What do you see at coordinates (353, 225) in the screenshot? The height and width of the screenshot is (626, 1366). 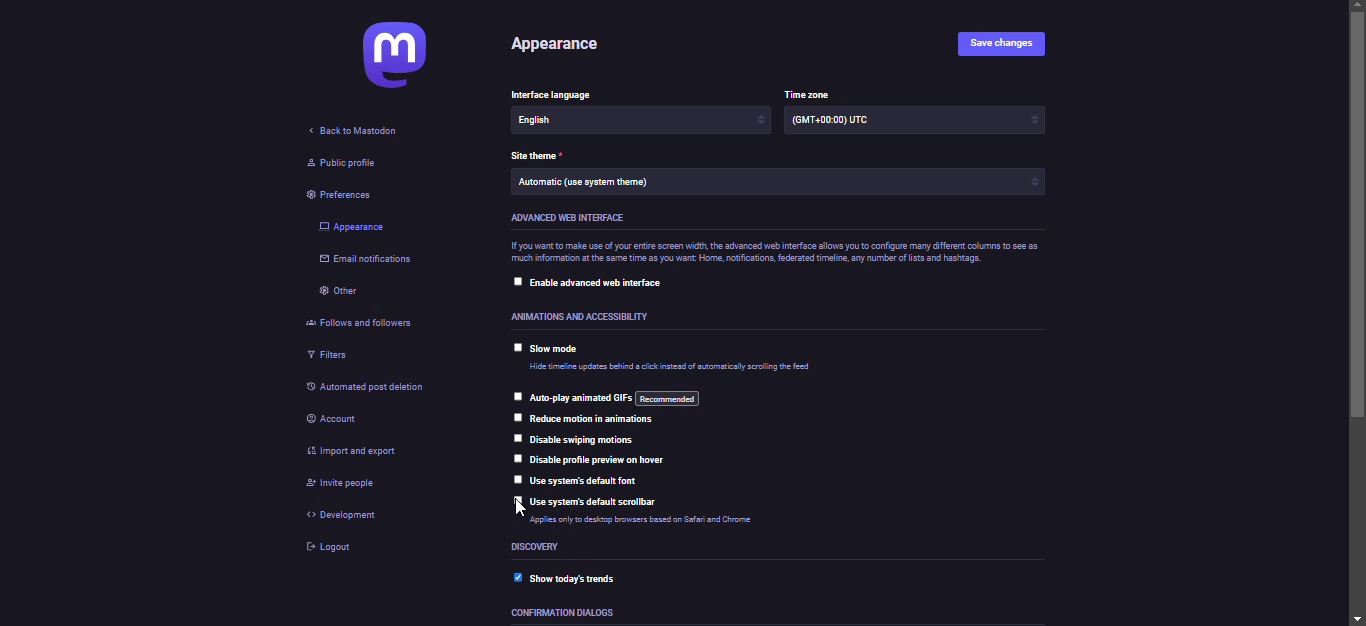 I see `appearance` at bounding box center [353, 225].